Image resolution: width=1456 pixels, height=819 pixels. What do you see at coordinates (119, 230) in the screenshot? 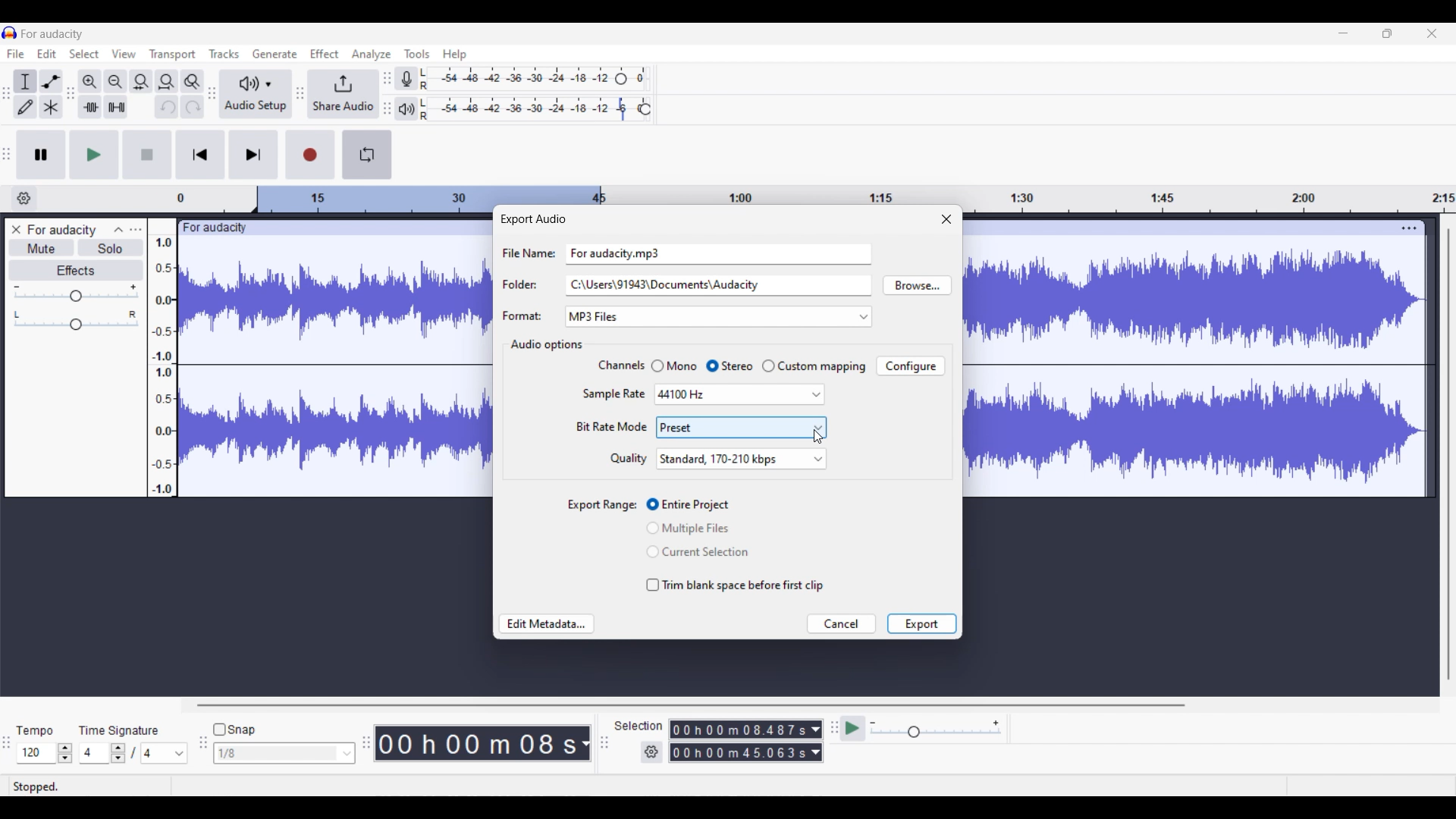
I see `Collapse` at bounding box center [119, 230].